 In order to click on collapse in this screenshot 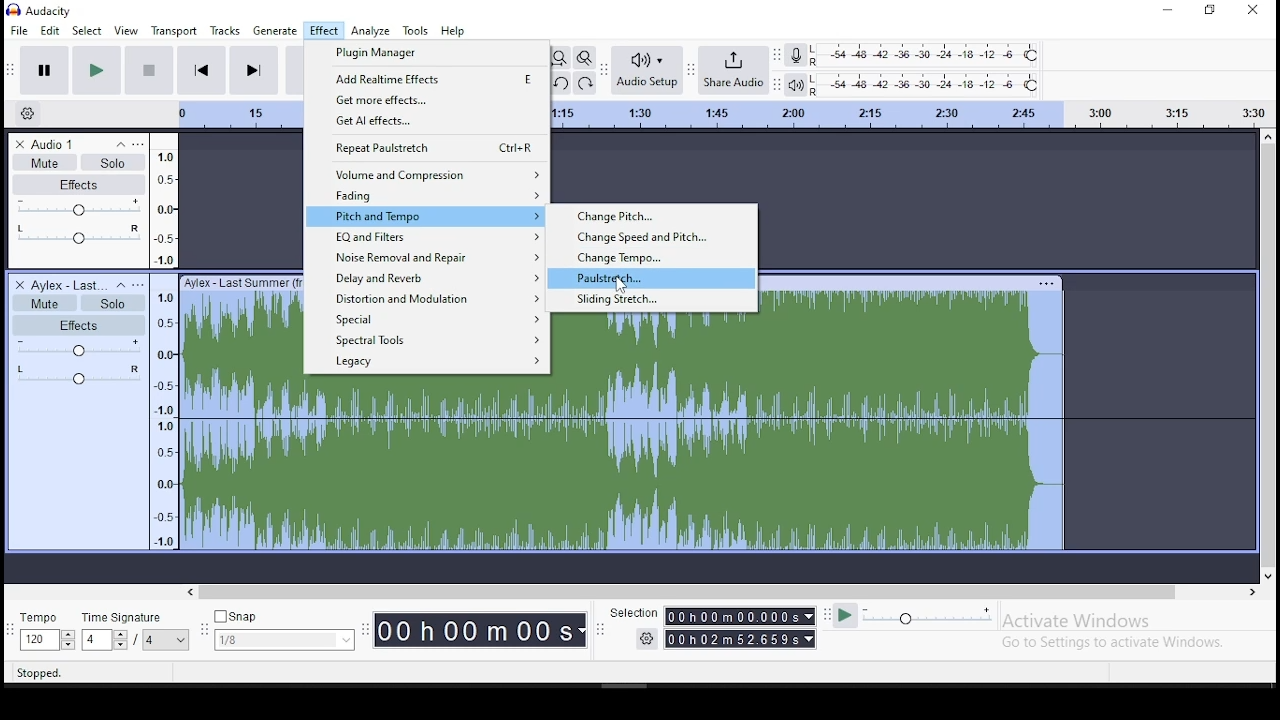, I will do `click(119, 145)`.